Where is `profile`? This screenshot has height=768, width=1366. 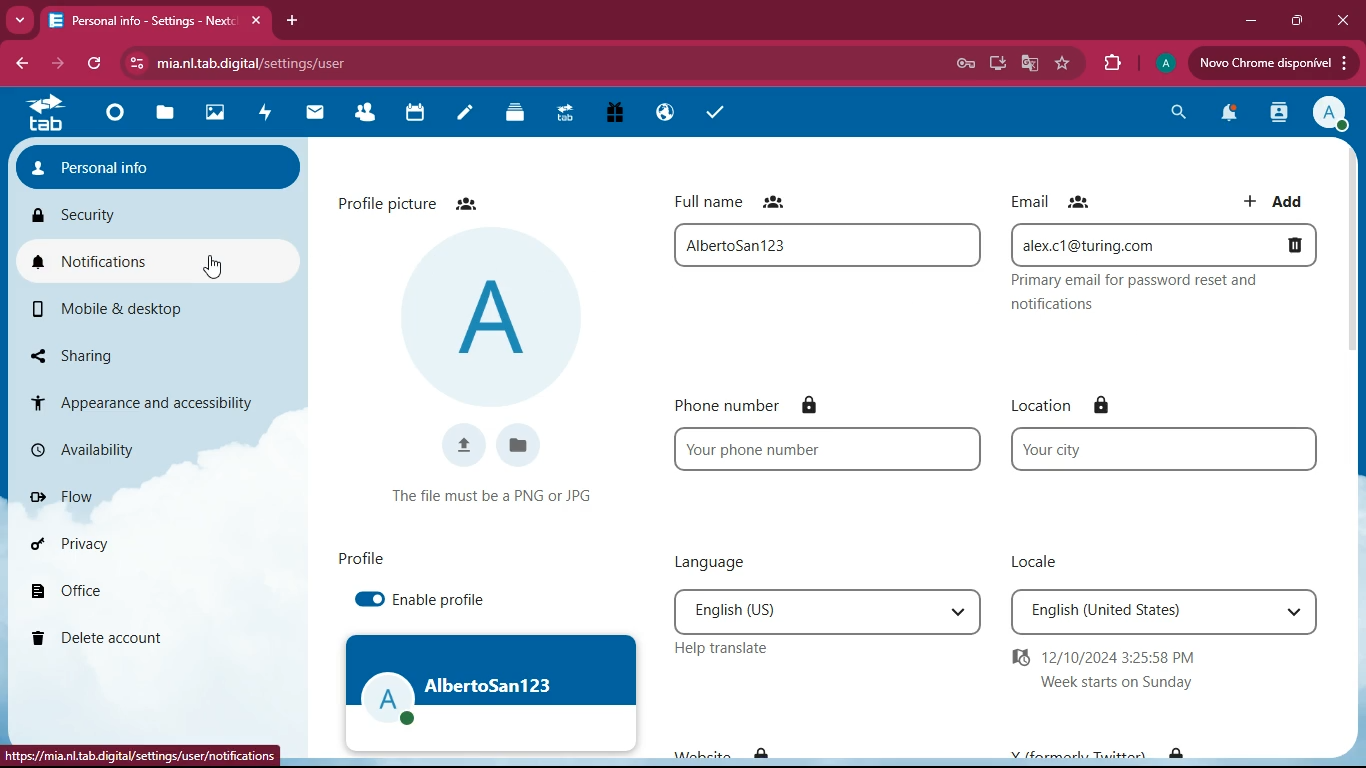
profile is located at coordinates (361, 558).